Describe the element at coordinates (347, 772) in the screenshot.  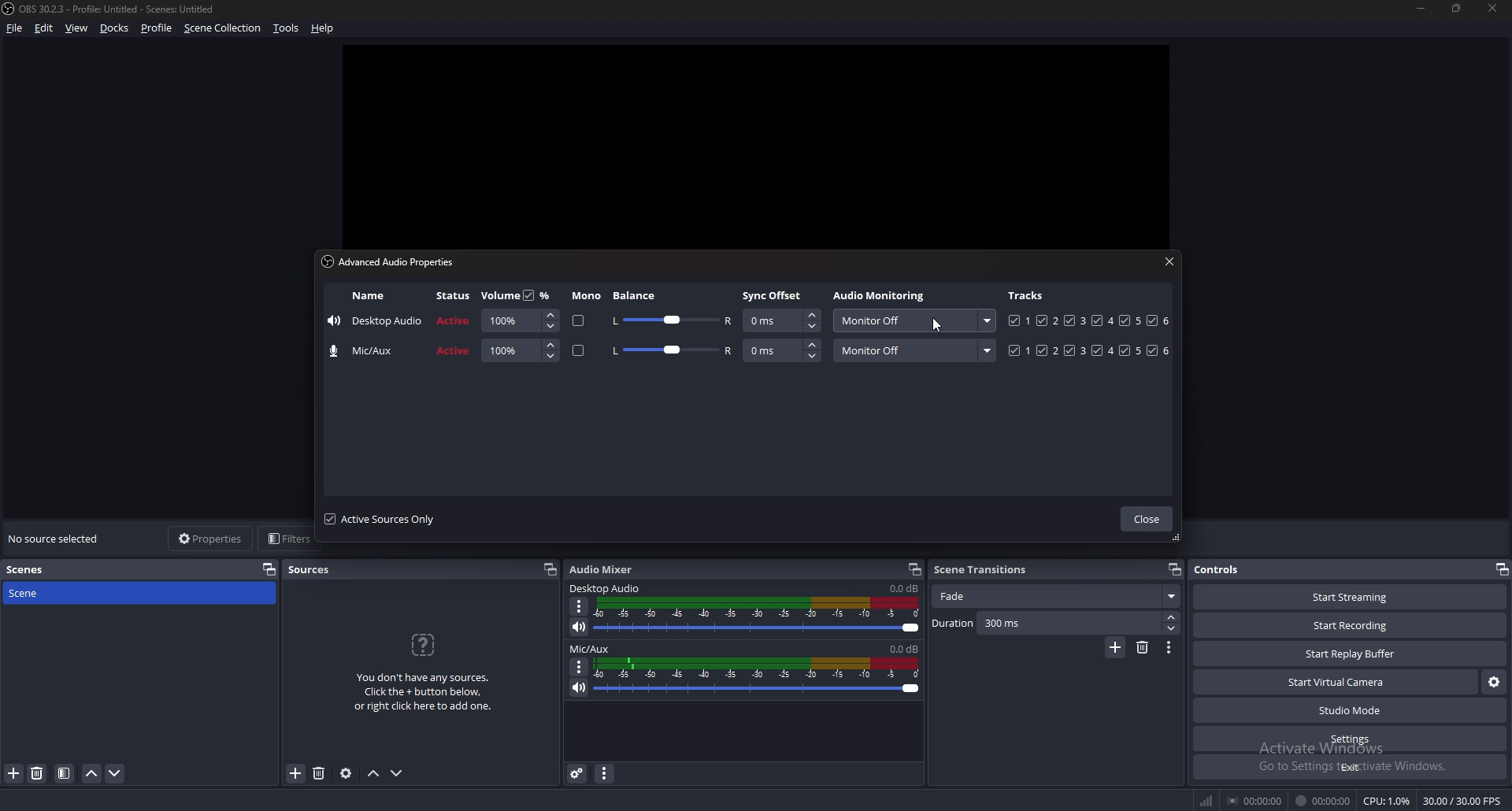
I see `source properties` at that location.